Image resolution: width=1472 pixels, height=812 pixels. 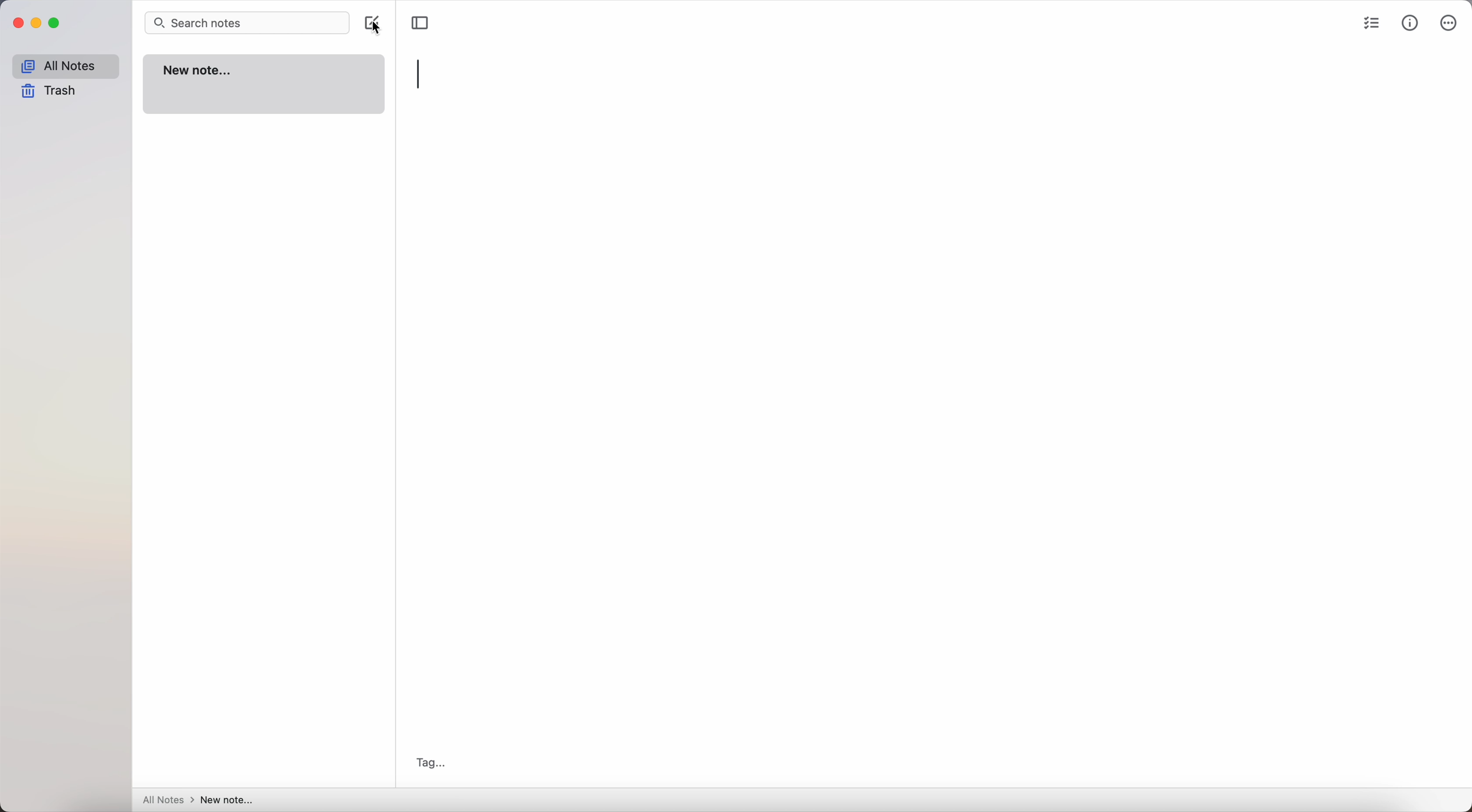 What do you see at coordinates (18, 23) in the screenshot?
I see `close Simplenote` at bounding box center [18, 23].